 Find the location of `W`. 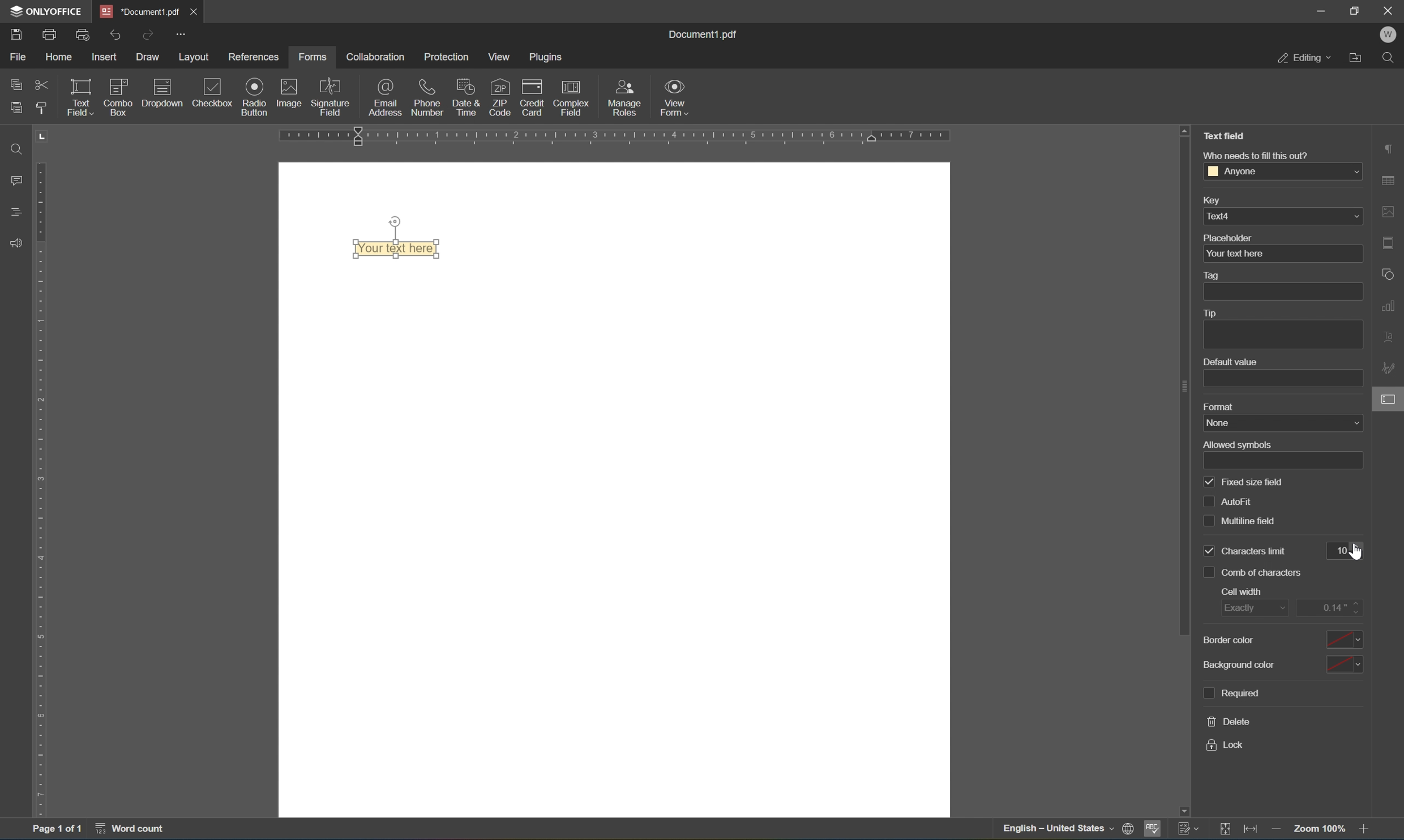

W is located at coordinates (1388, 36).